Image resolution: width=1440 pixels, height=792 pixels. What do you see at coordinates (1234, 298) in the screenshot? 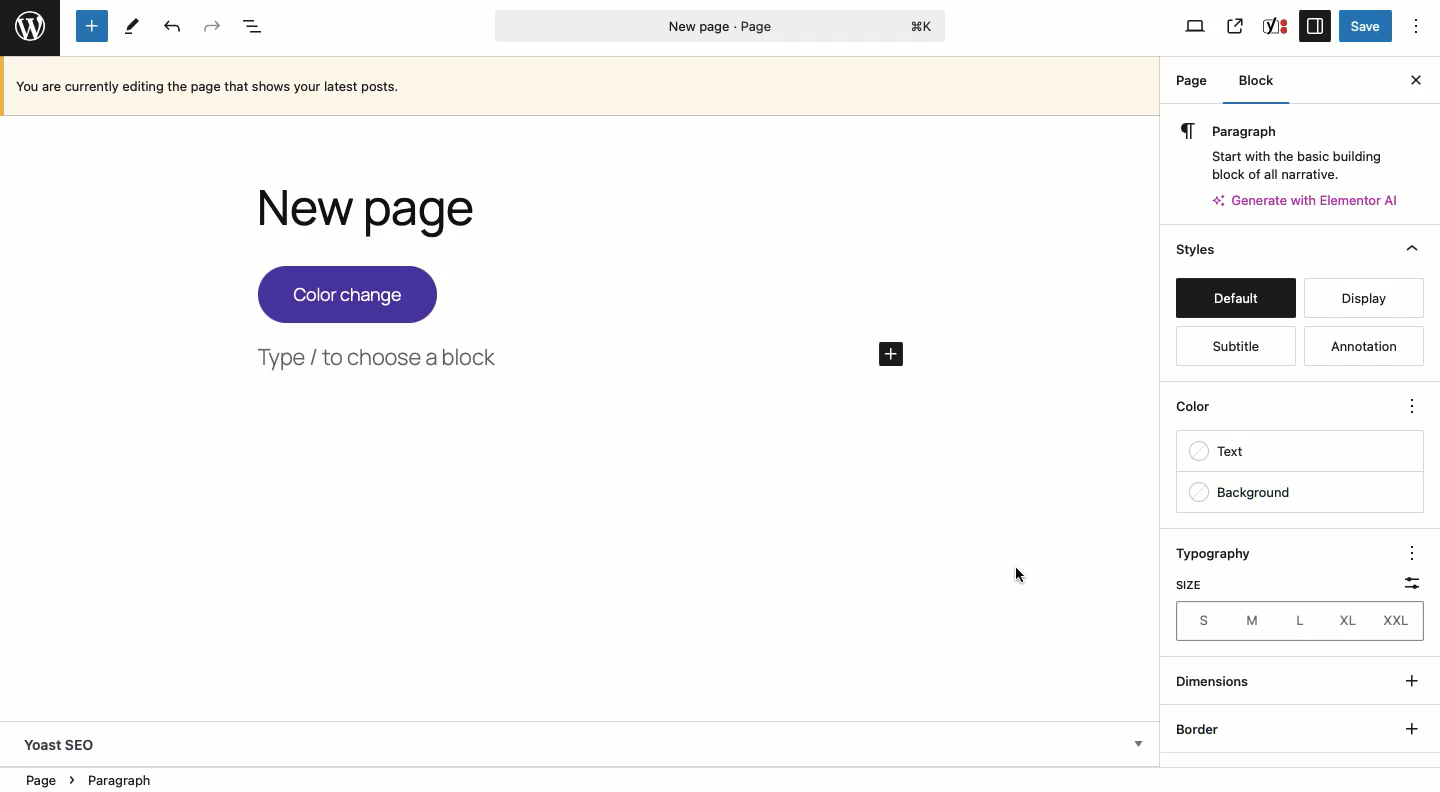
I see `Default` at bounding box center [1234, 298].